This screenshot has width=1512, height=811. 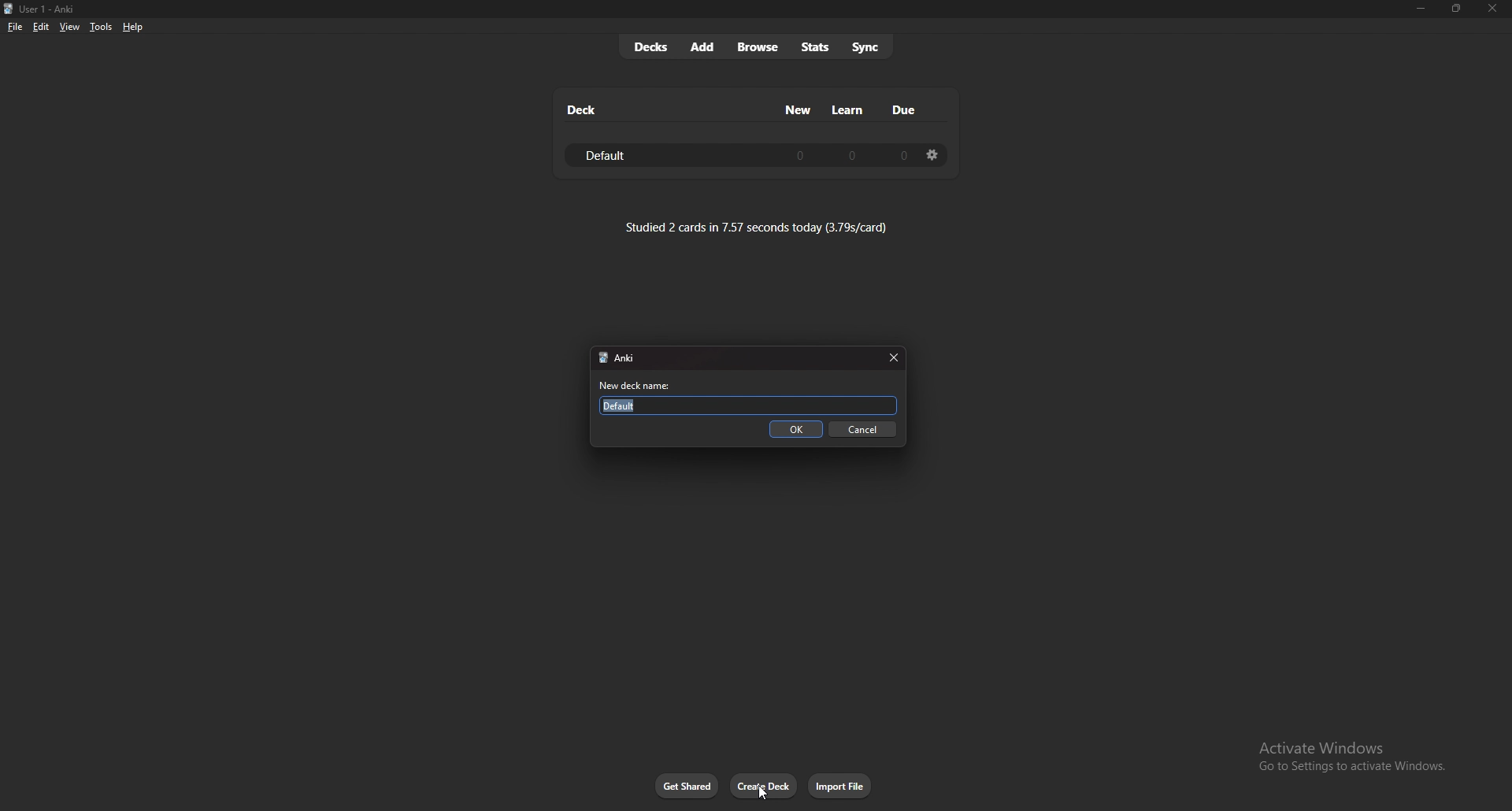 What do you see at coordinates (864, 430) in the screenshot?
I see `cancel` at bounding box center [864, 430].